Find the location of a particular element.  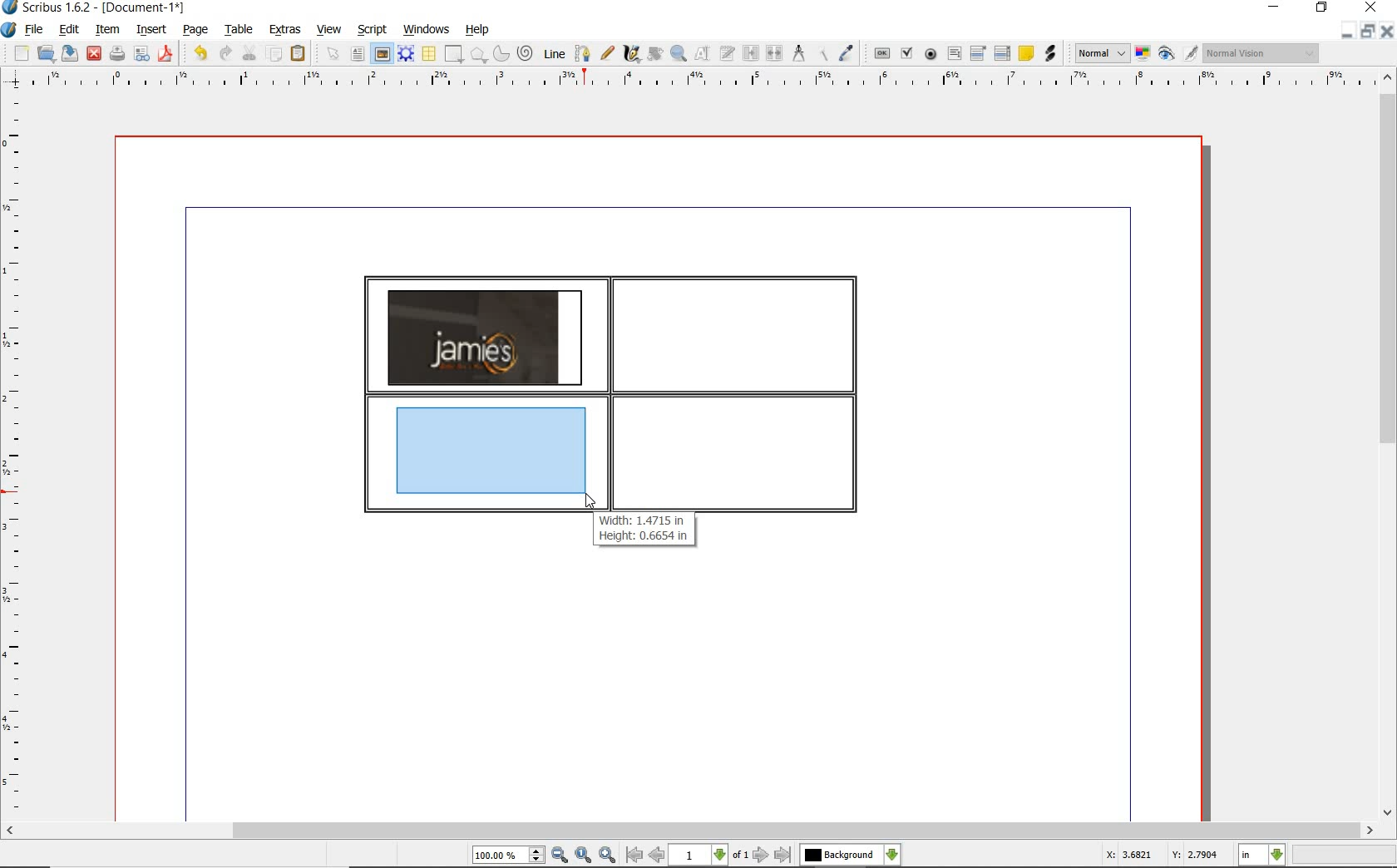

bezier curve is located at coordinates (582, 53).